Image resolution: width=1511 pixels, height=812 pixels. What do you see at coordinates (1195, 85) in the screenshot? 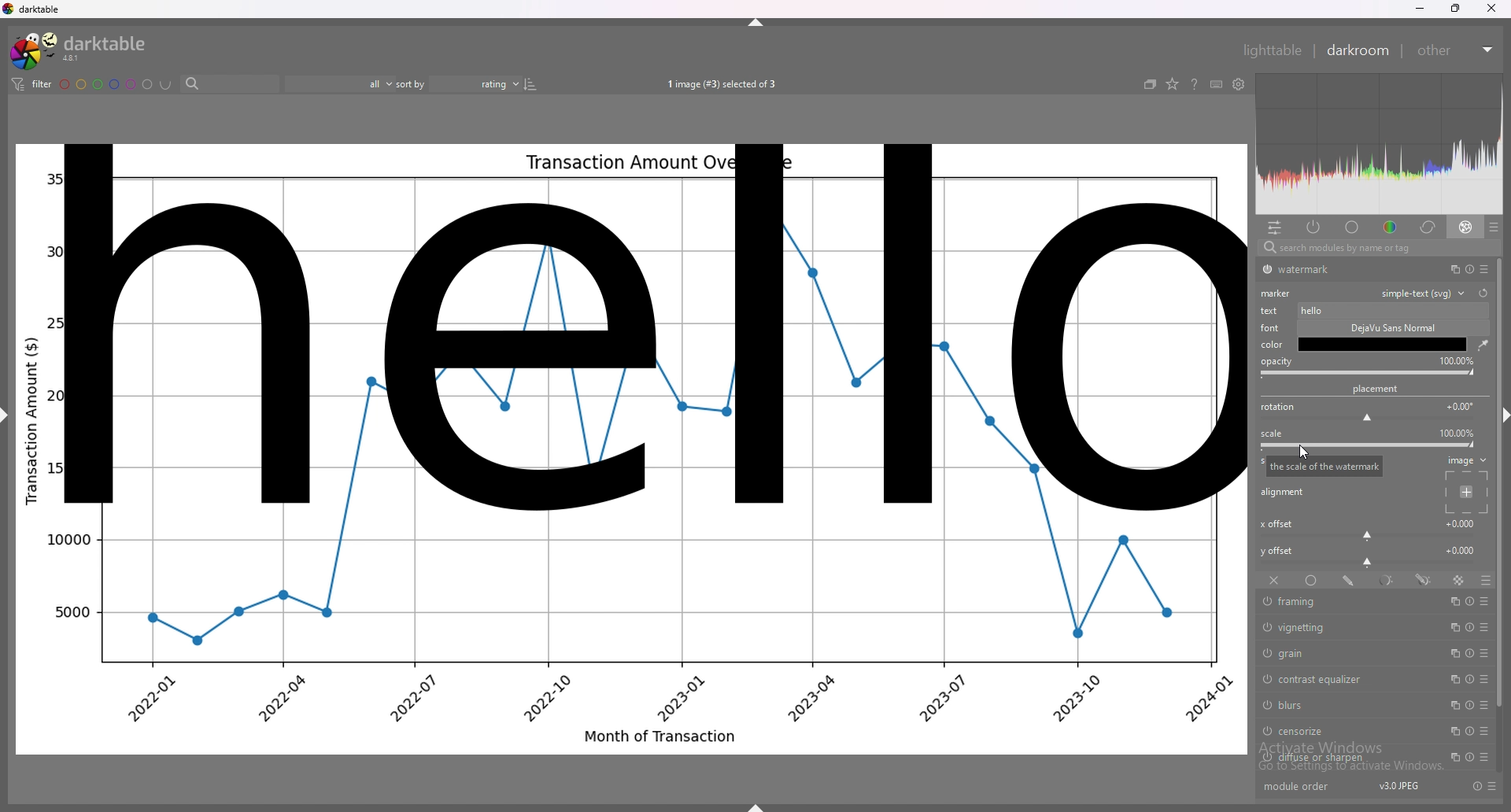
I see `help` at bounding box center [1195, 85].